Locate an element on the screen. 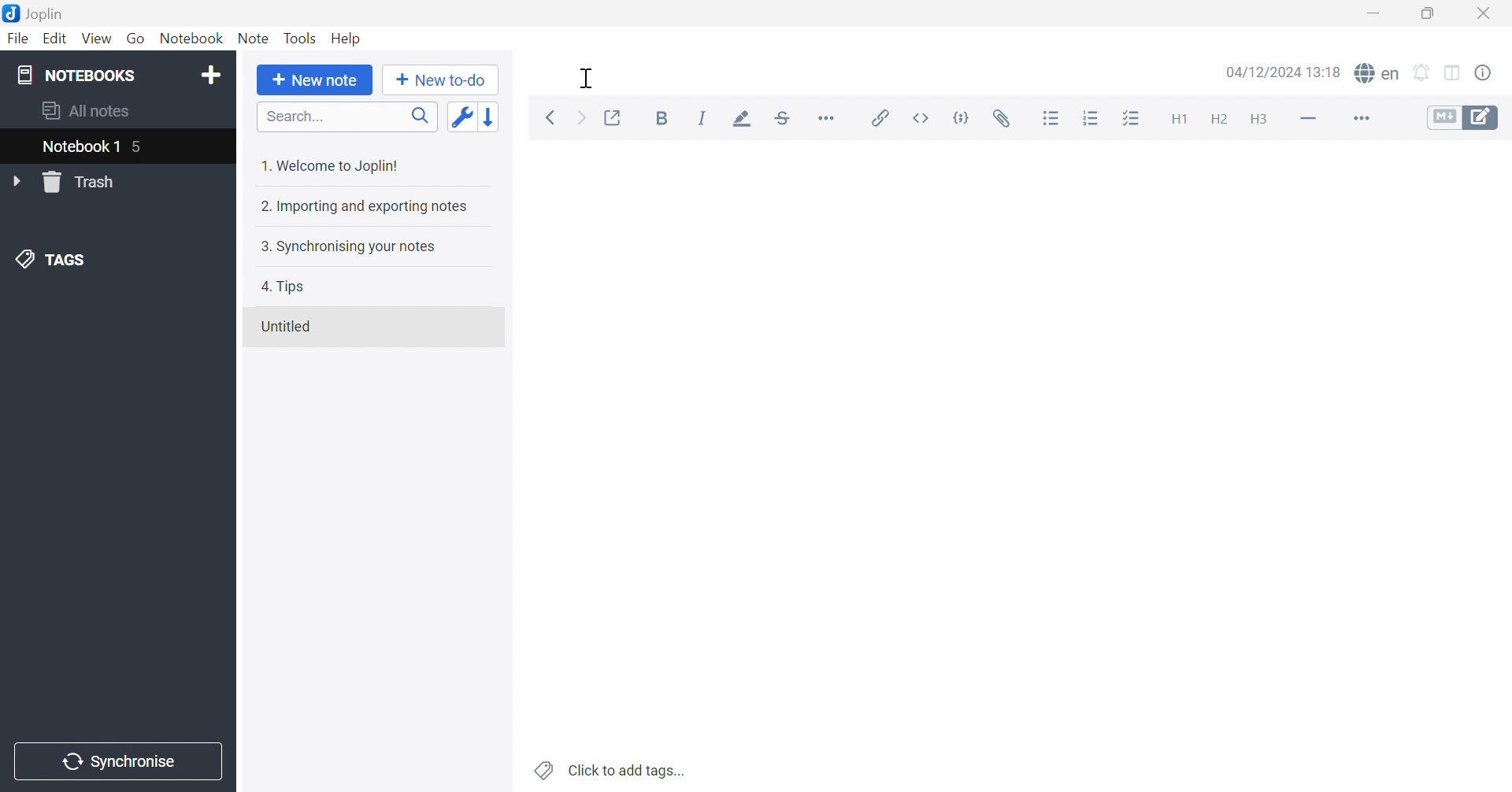  Edit is located at coordinates (54, 38).